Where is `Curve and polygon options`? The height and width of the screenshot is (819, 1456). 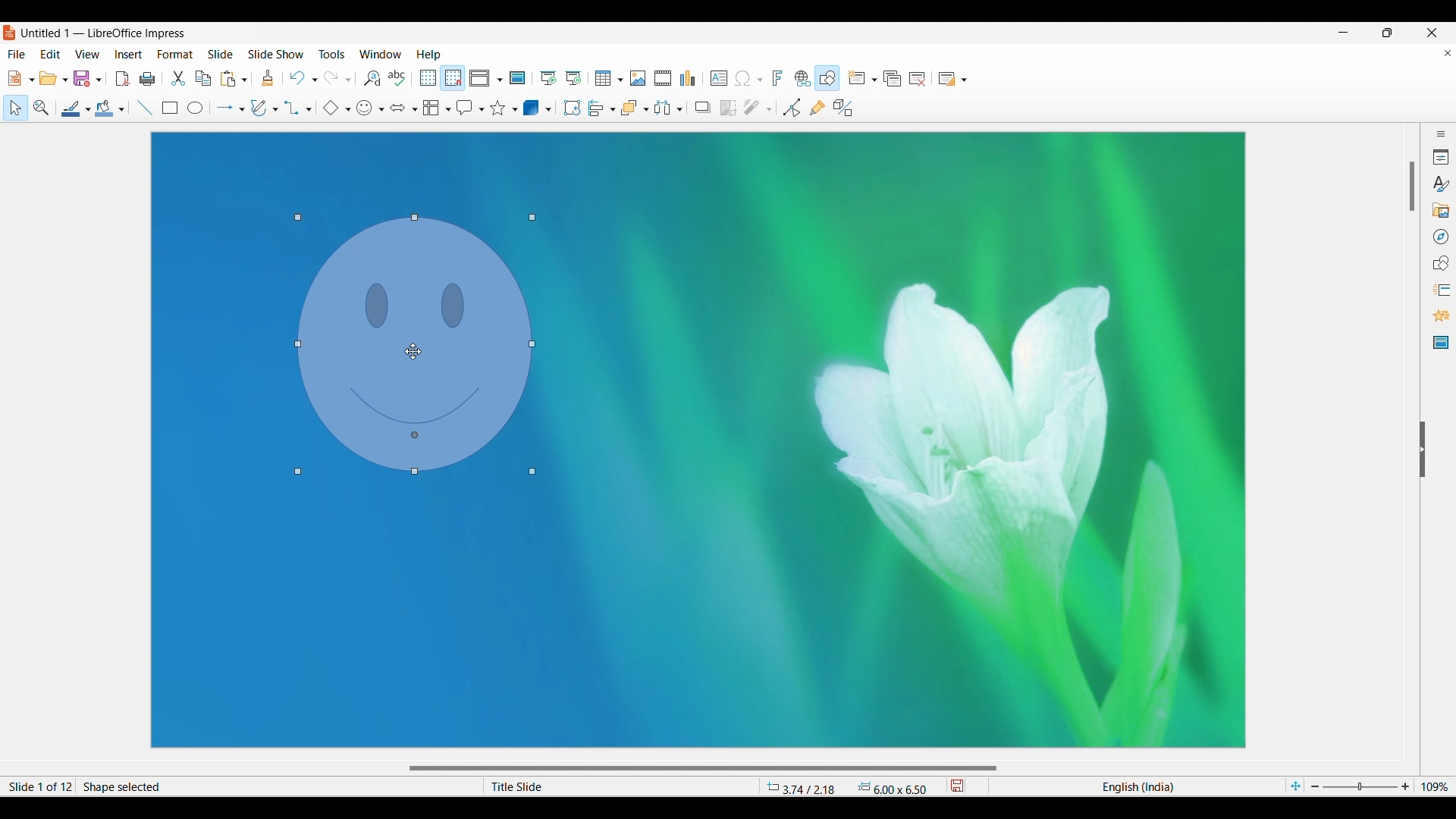 Curve and polygon options is located at coordinates (275, 109).